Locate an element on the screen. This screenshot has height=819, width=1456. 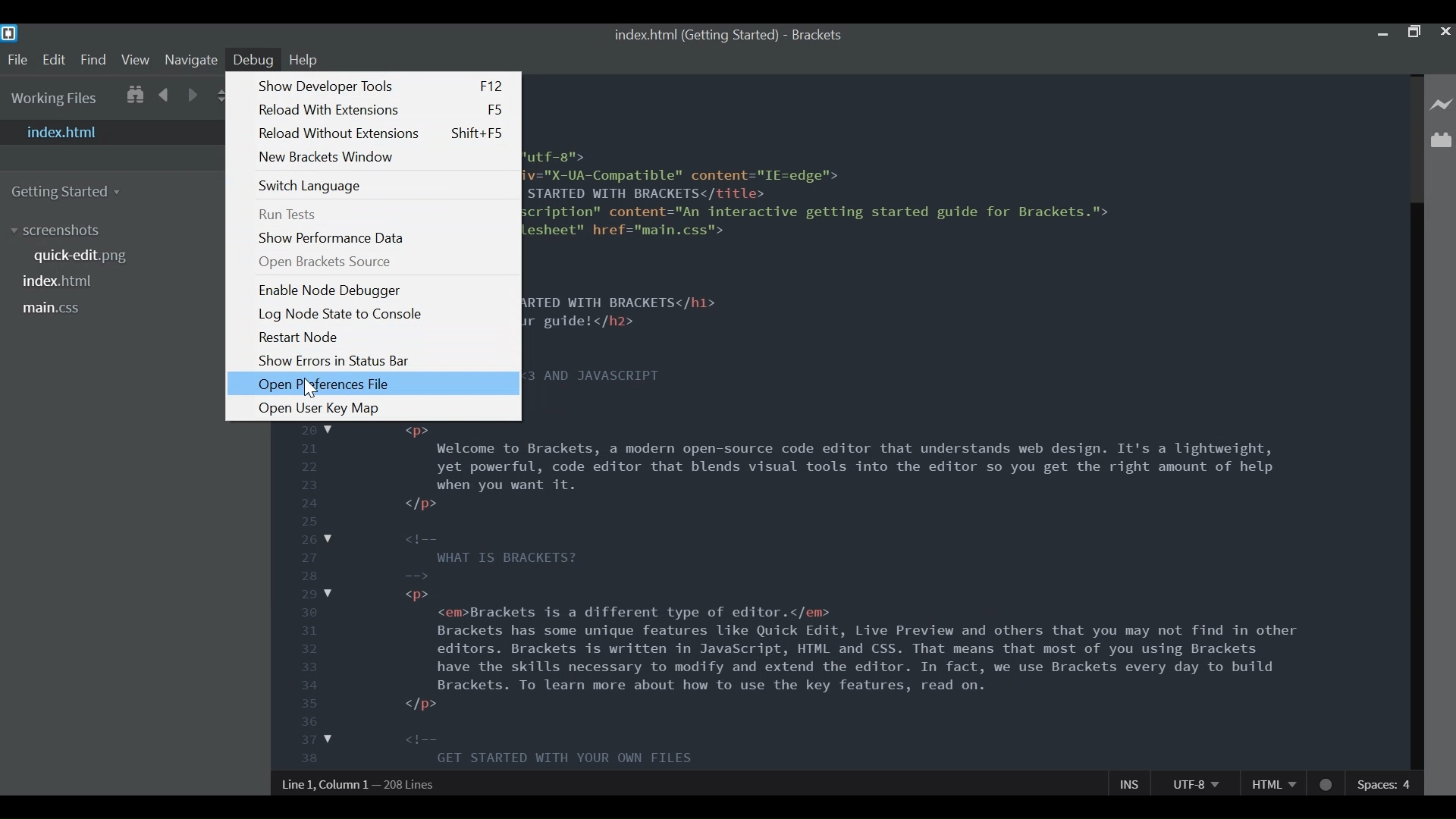
File is located at coordinates (17, 60).